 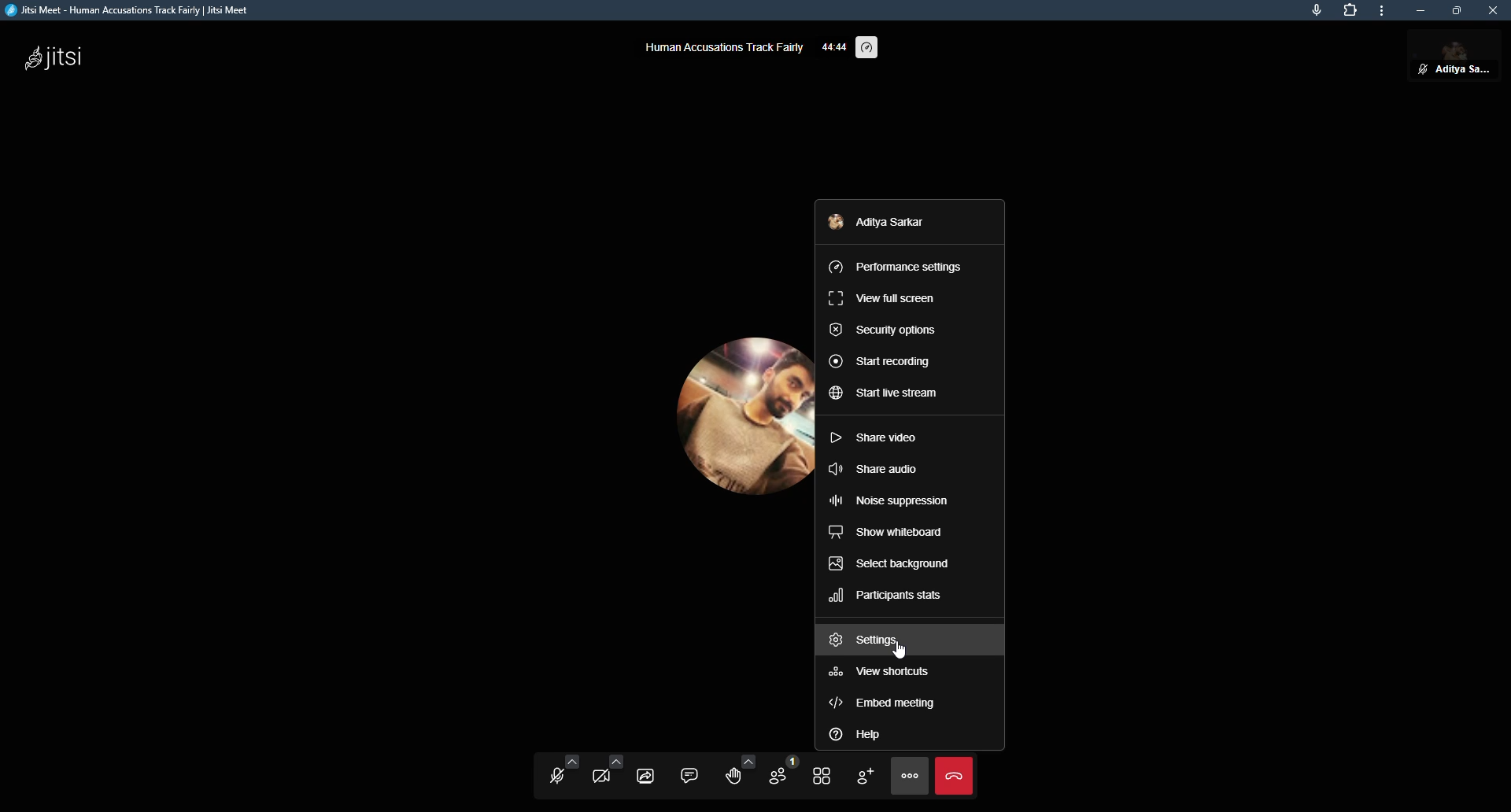 What do you see at coordinates (833, 46) in the screenshot?
I see `elapsed time` at bounding box center [833, 46].